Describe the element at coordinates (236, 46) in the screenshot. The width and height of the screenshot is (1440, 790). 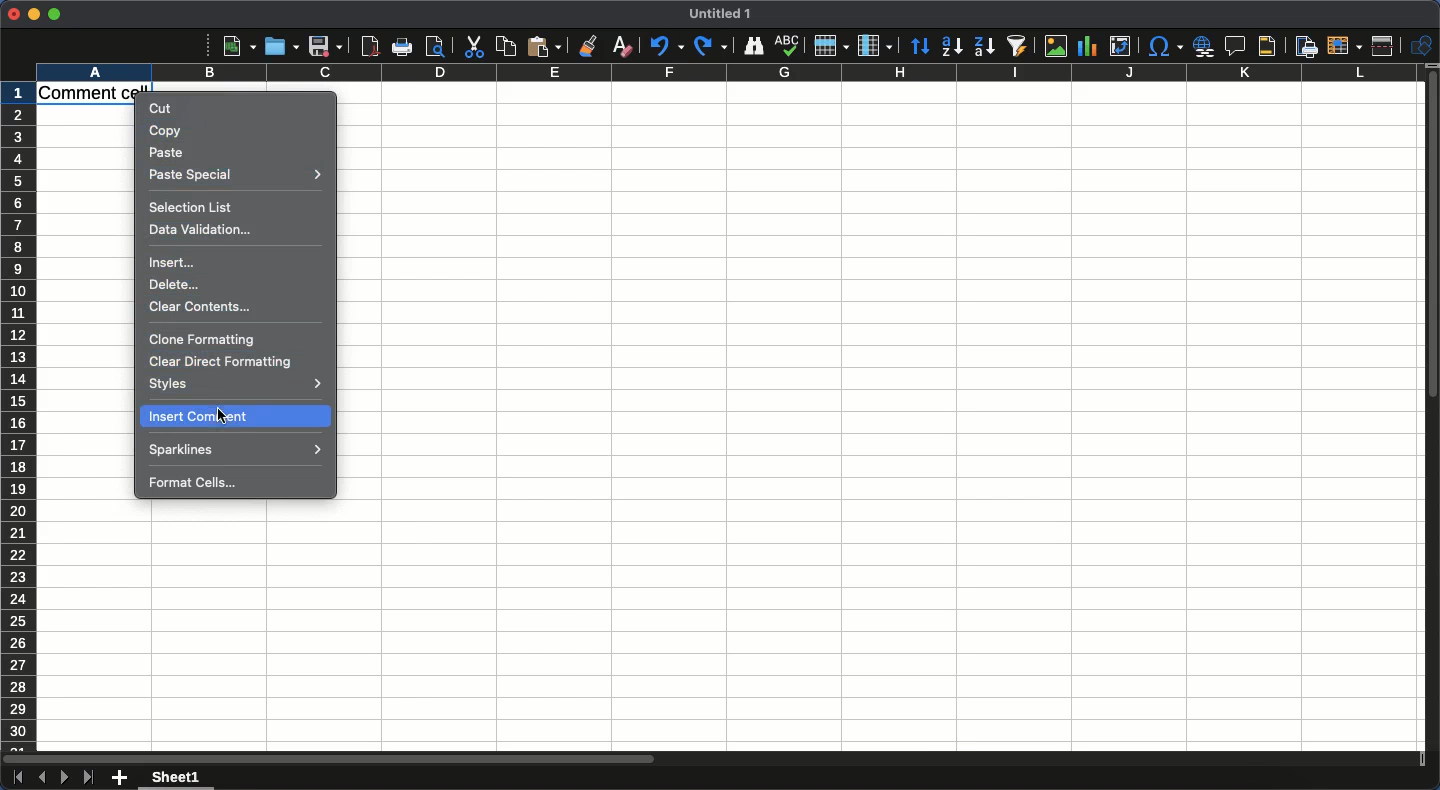
I see `New` at that location.